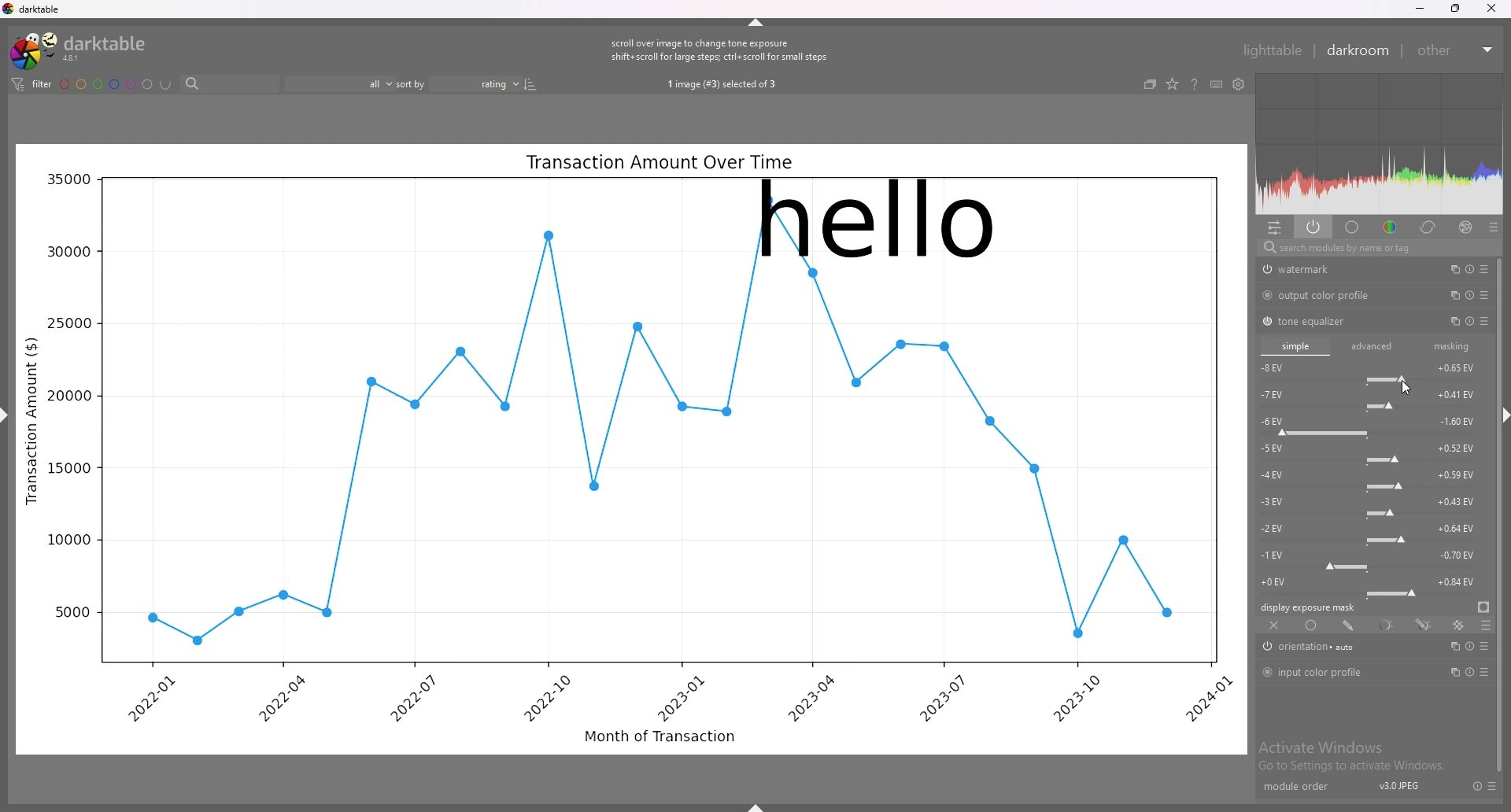  I want to click on help, so click(1193, 85).